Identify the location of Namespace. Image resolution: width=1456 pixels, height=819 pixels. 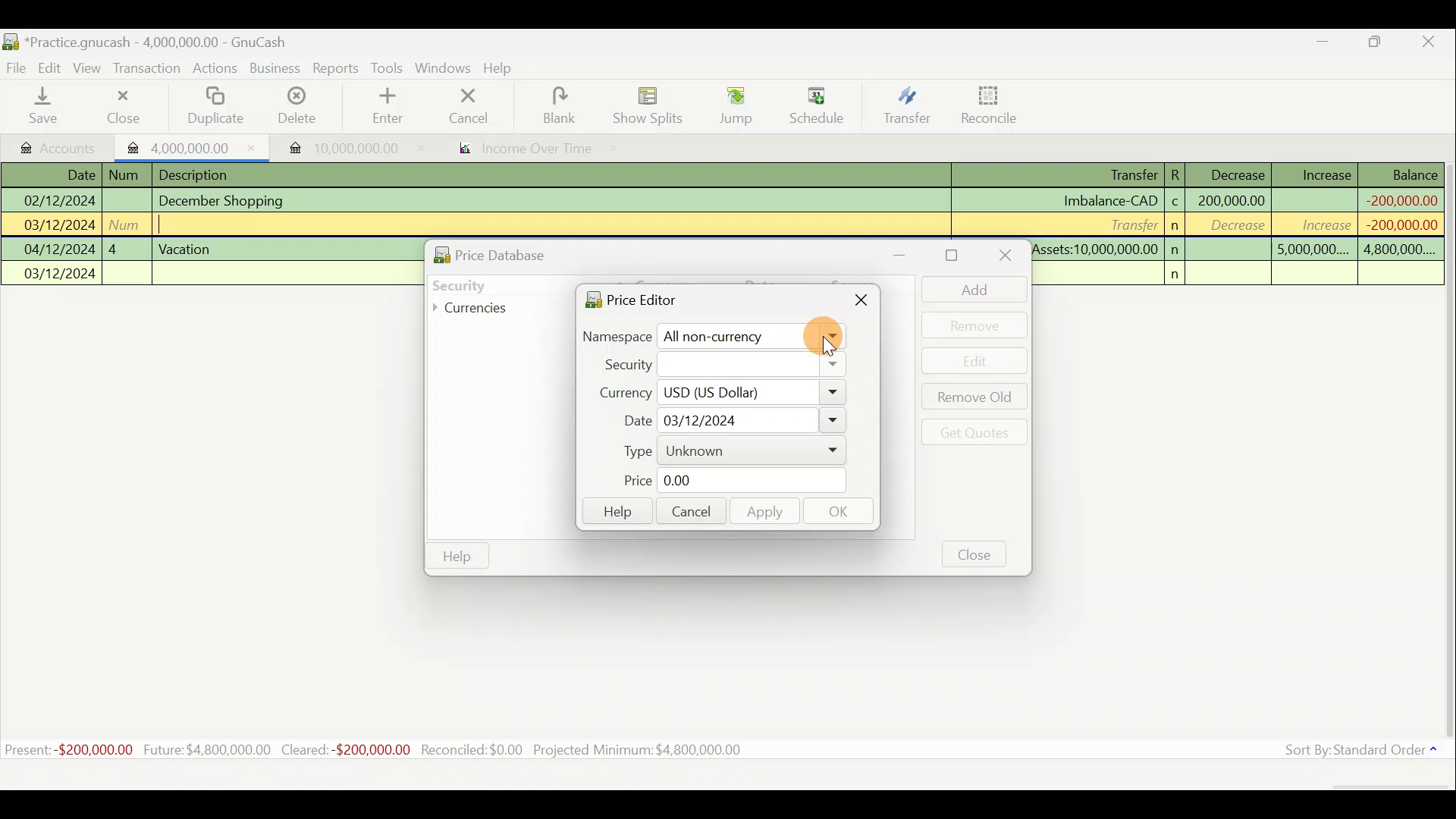
(715, 337).